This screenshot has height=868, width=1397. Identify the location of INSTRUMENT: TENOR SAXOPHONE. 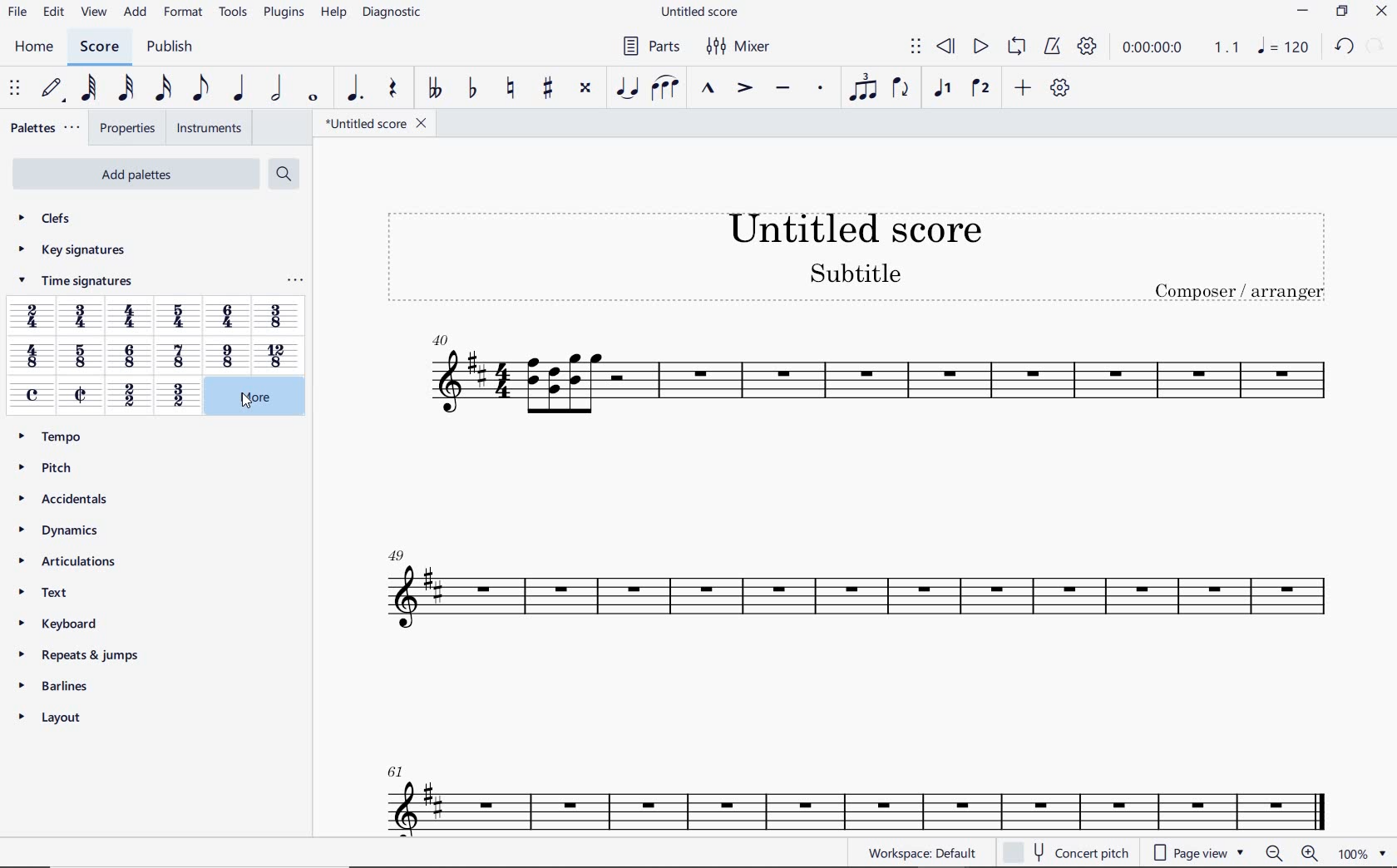
(856, 578).